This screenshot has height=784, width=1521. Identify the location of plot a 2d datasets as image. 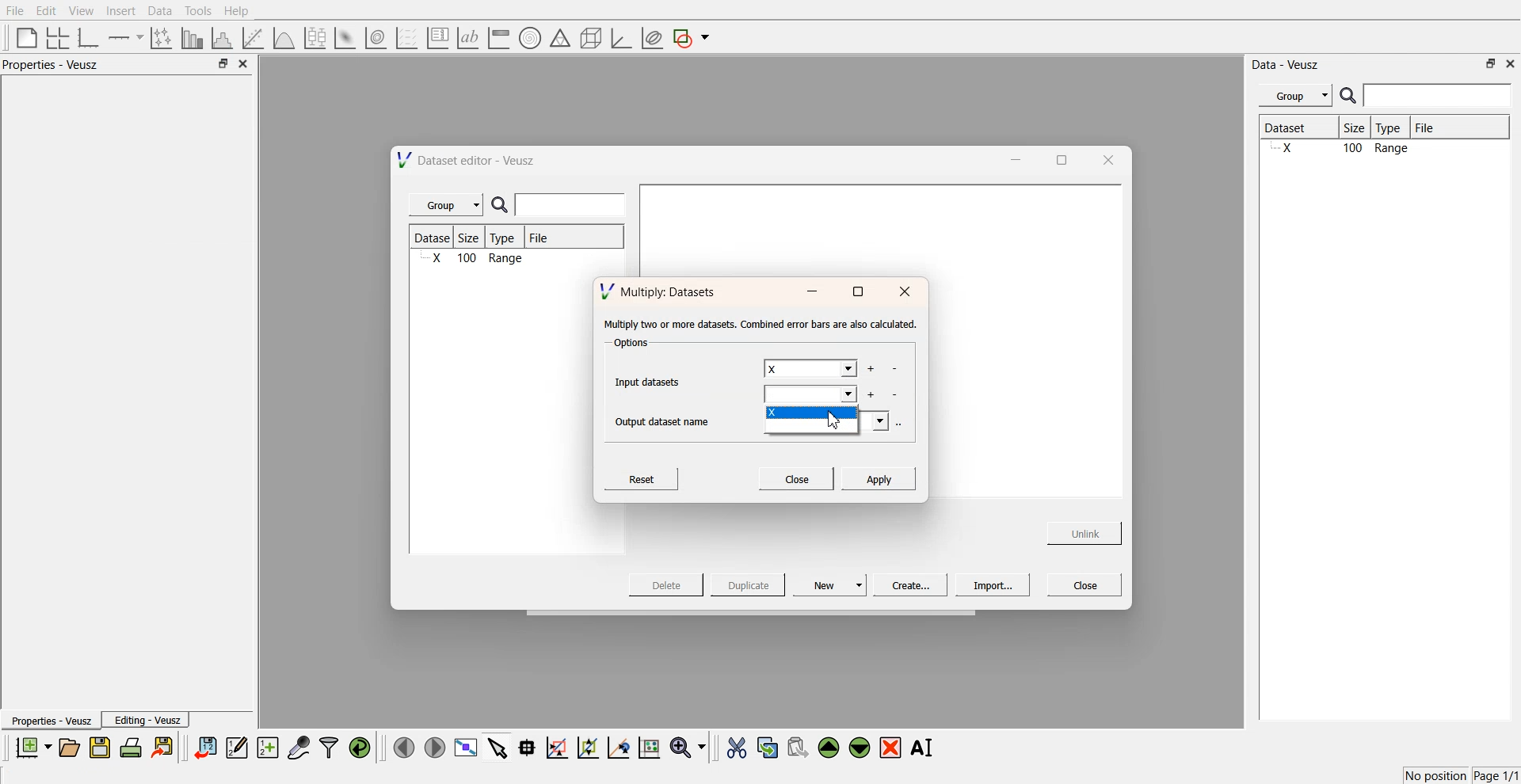
(344, 37).